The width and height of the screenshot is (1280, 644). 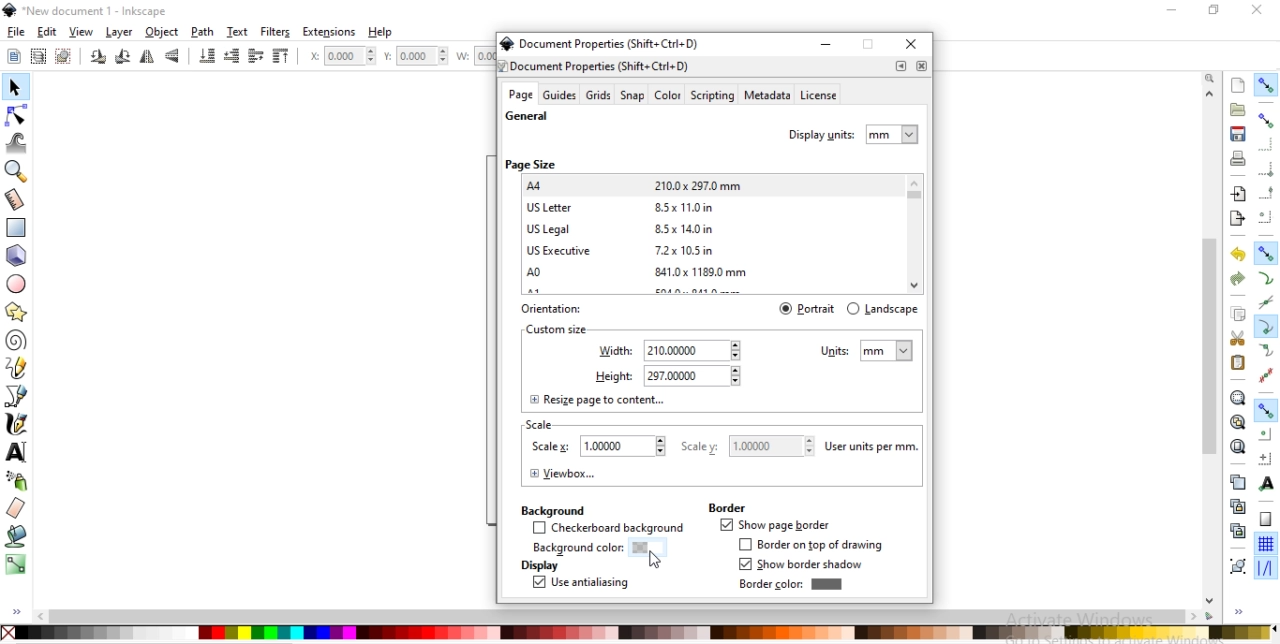 What do you see at coordinates (551, 509) in the screenshot?
I see `background` at bounding box center [551, 509].